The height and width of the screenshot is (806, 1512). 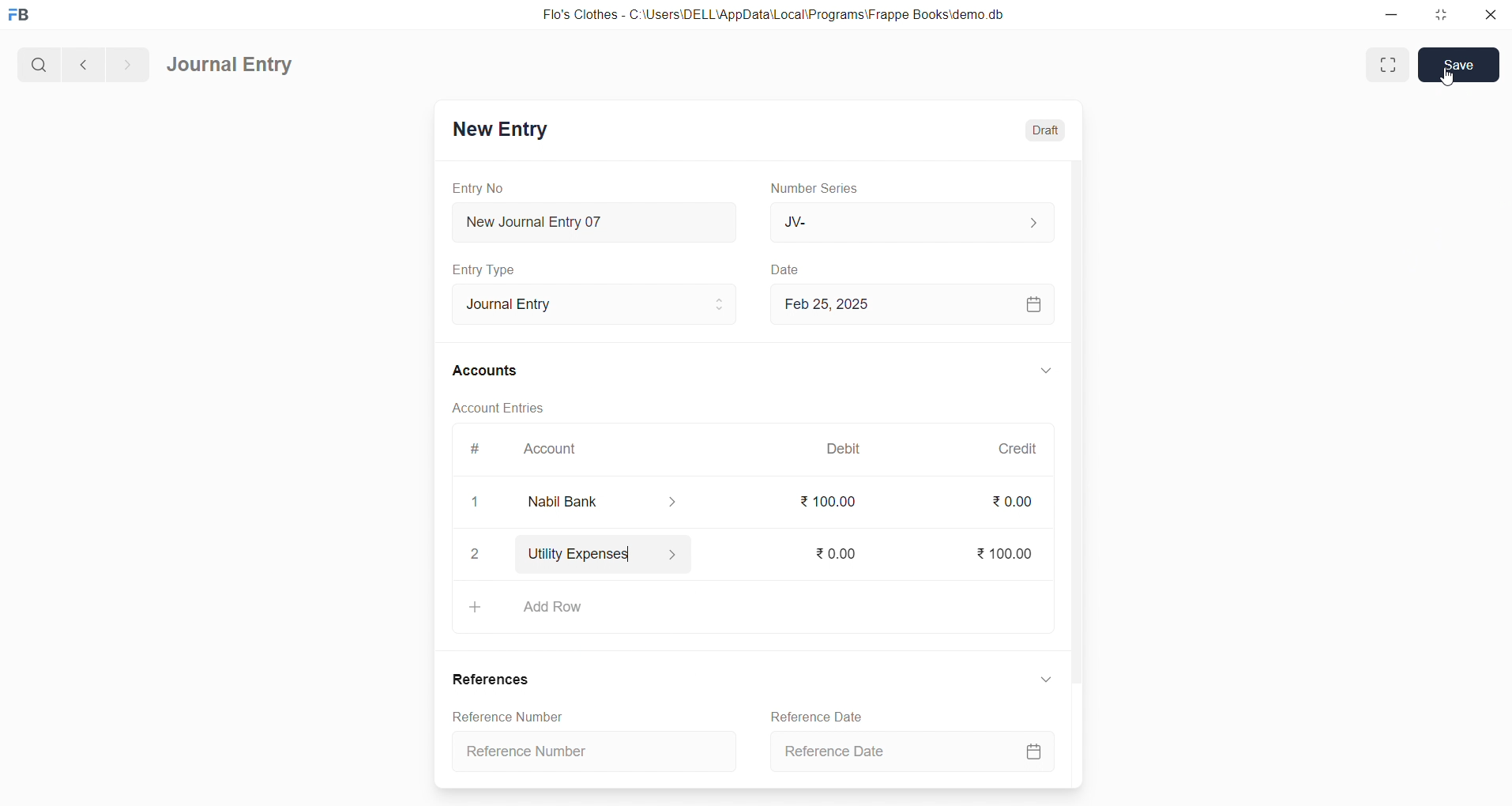 I want to click on ₹ 100.00, so click(x=829, y=502).